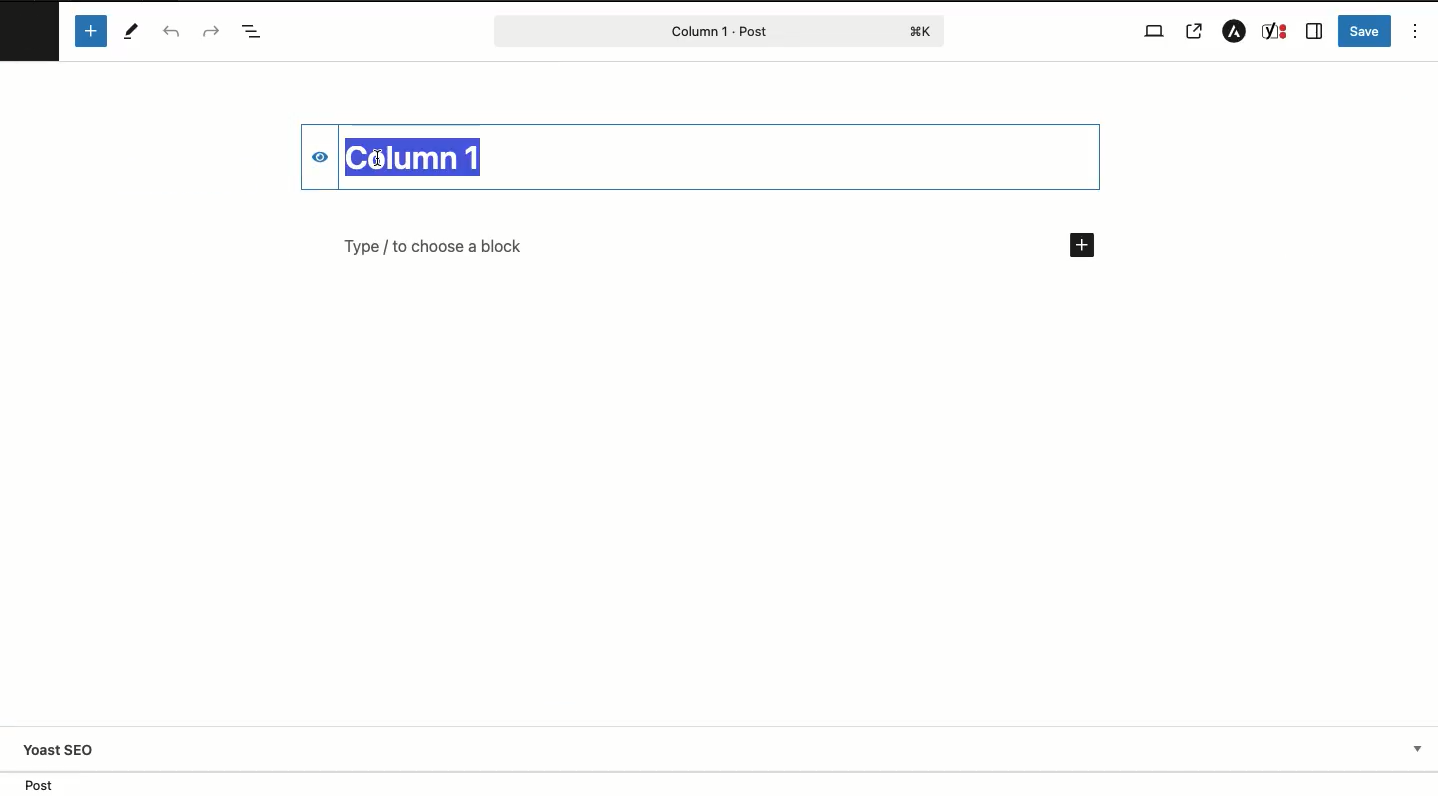 The width and height of the screenshot is (1438, 796). What do you see at coordinates (1365, 30) in the screenshot?
I see `Save` at bounding box center [1365, 30].